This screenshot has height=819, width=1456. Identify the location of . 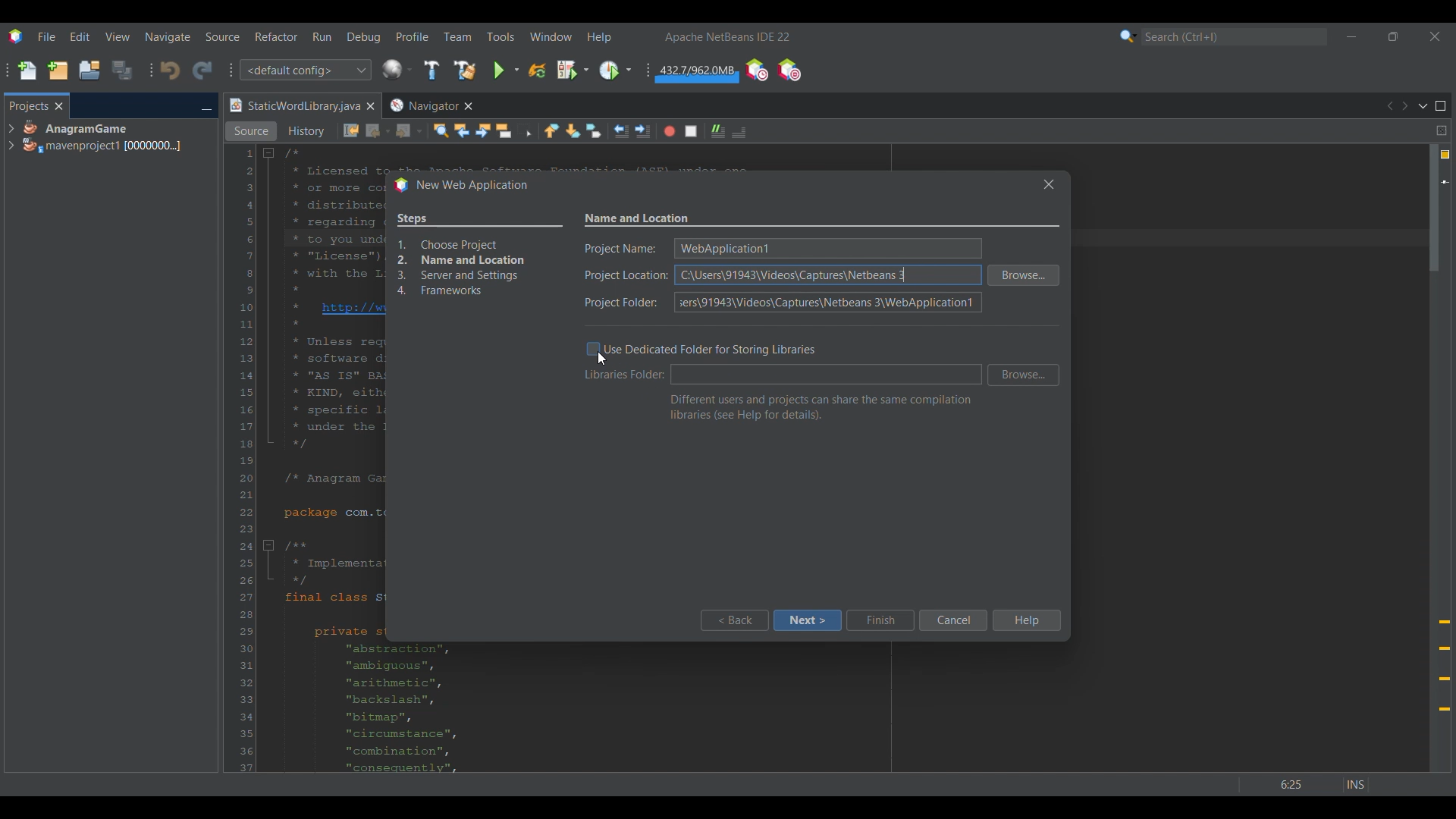
(1045, 184).